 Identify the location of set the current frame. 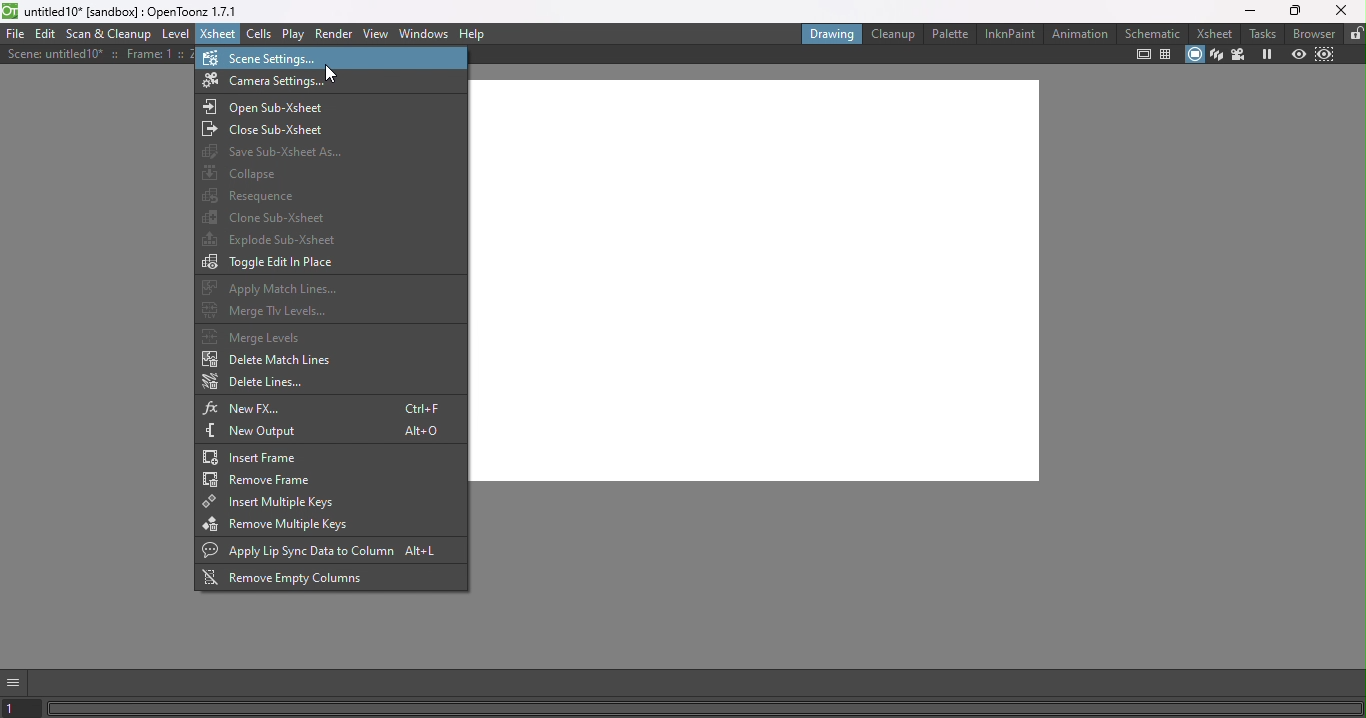
(24, 709).